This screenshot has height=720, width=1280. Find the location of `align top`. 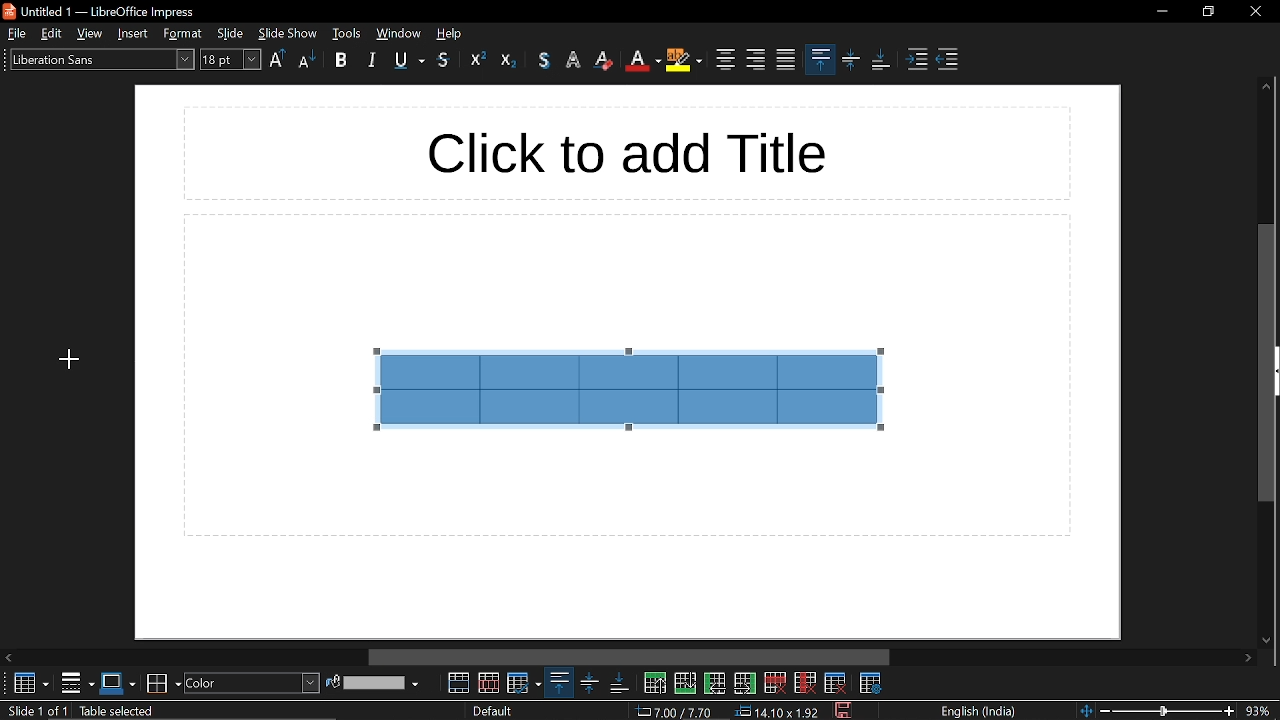

align top is located at coordinates (558, 683).